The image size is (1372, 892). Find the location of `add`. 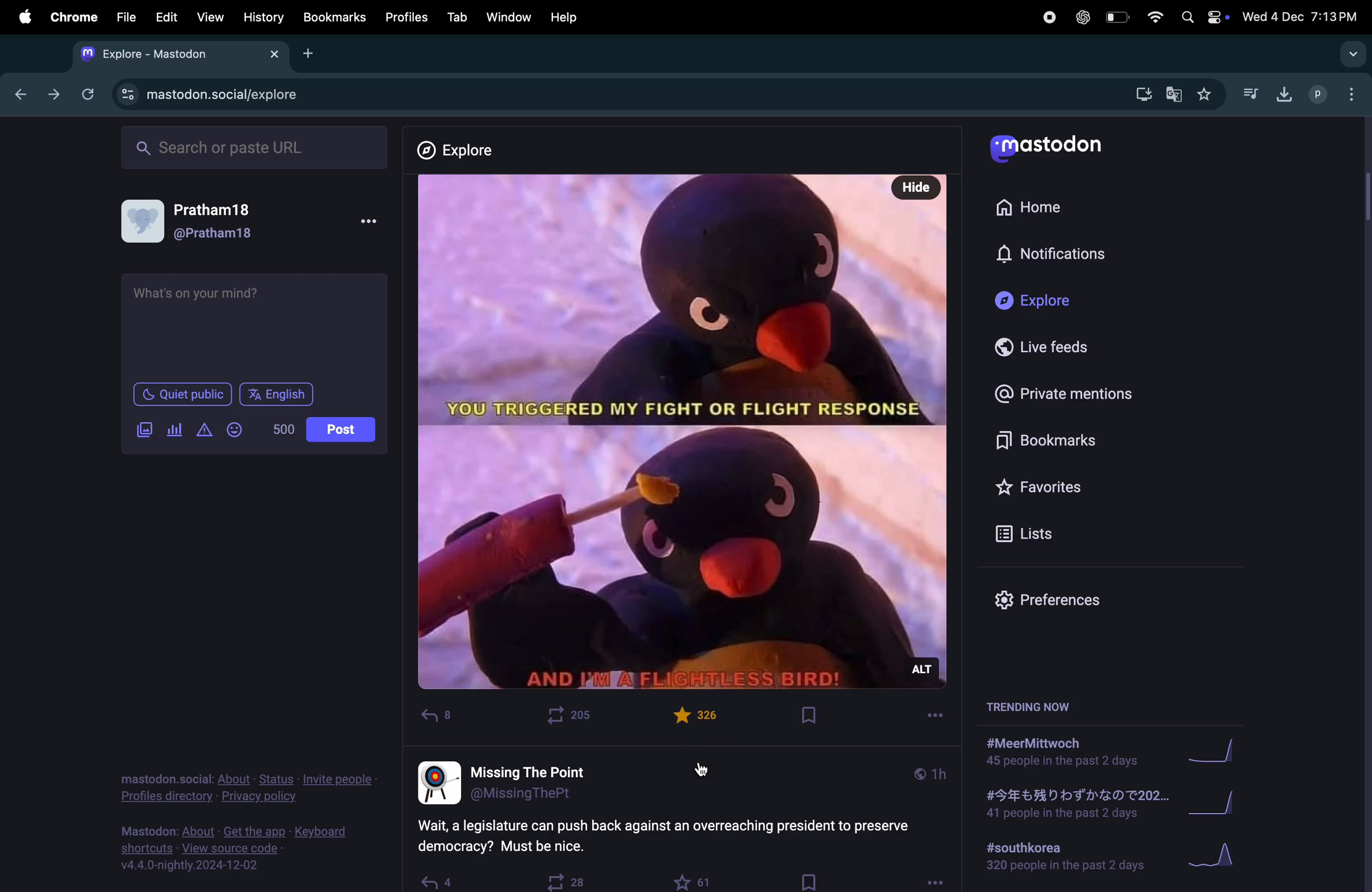

add is located at coordinates (308, 54).